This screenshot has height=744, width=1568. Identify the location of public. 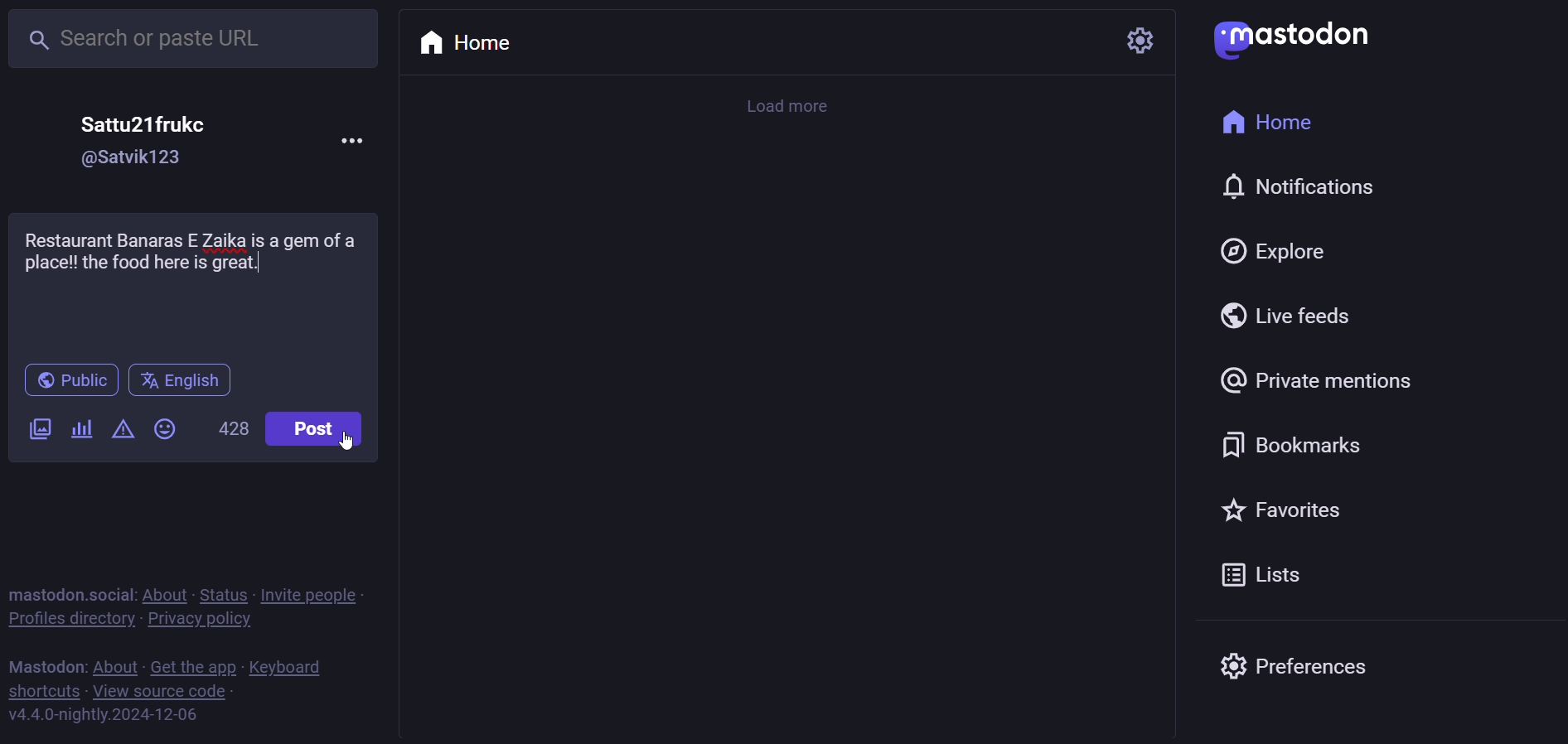
(70, 380).